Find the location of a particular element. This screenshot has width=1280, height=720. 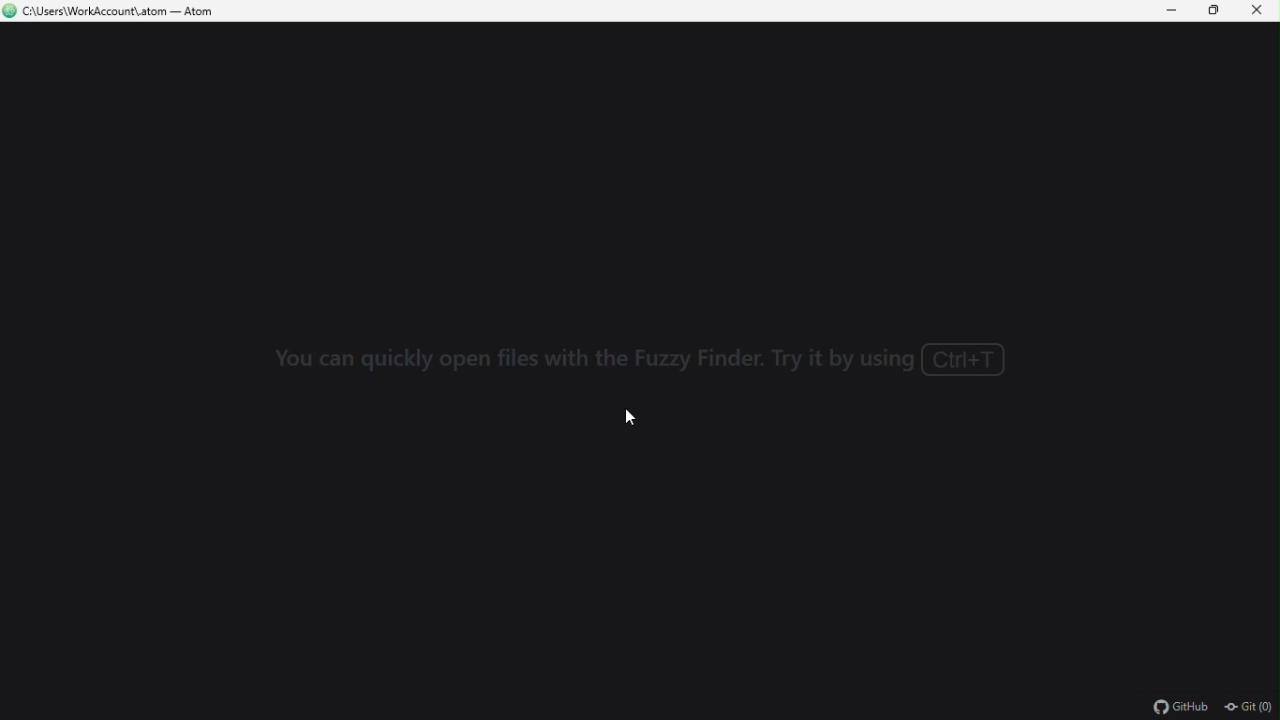

close is located at coordinates (1258, 11).